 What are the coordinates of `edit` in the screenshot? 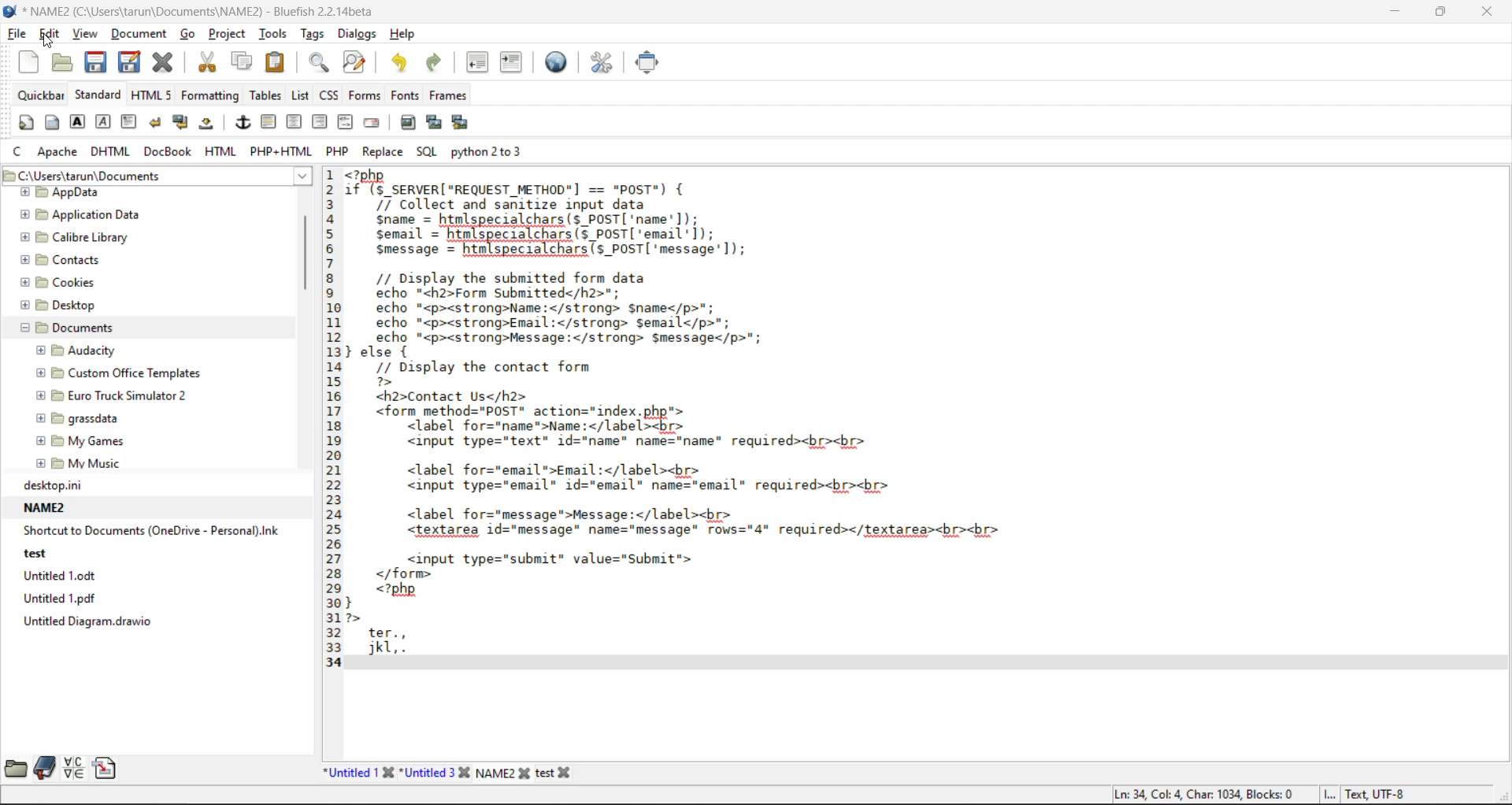 It's located at (50, 34).